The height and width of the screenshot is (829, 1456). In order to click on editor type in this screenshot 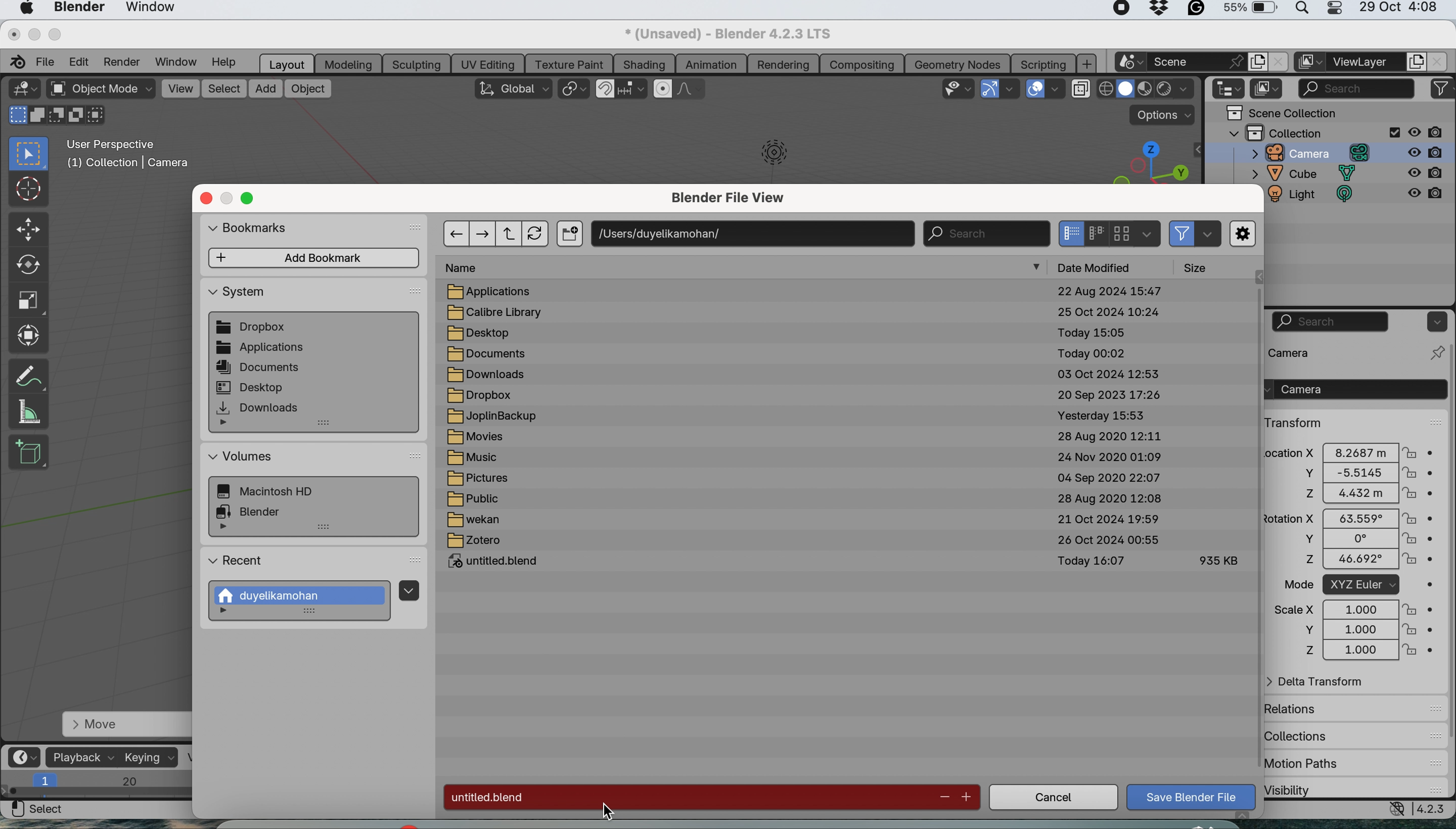, I will do `click(27, 756)`.